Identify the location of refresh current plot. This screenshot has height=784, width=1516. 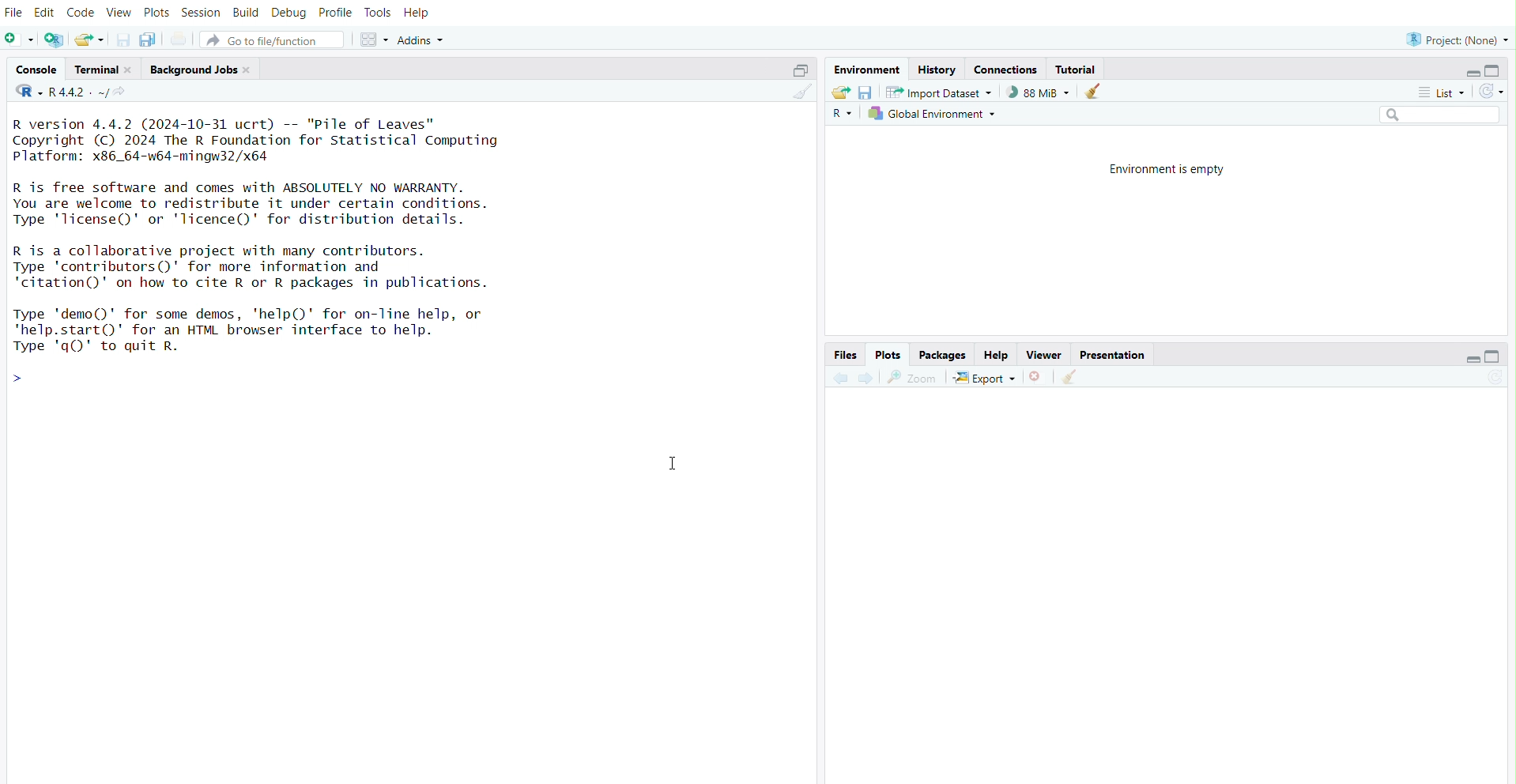
(1499, 380).